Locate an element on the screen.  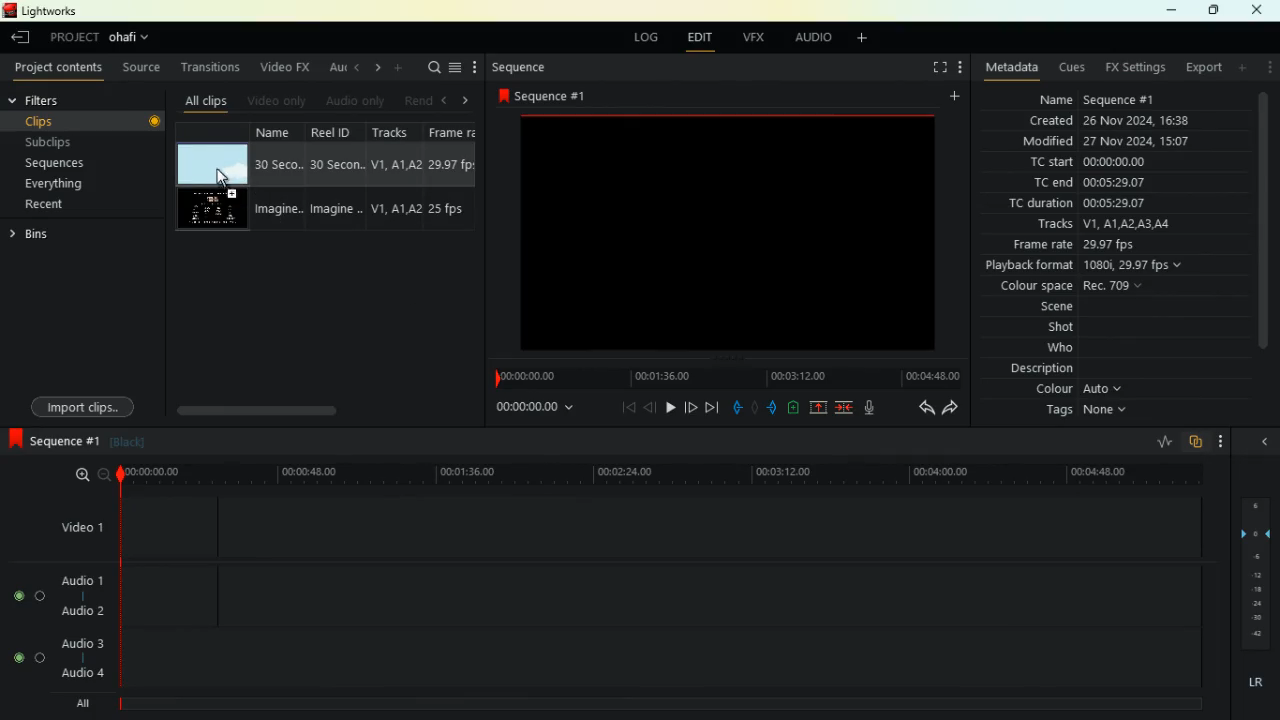
recent is located at coordinates (54, 204).